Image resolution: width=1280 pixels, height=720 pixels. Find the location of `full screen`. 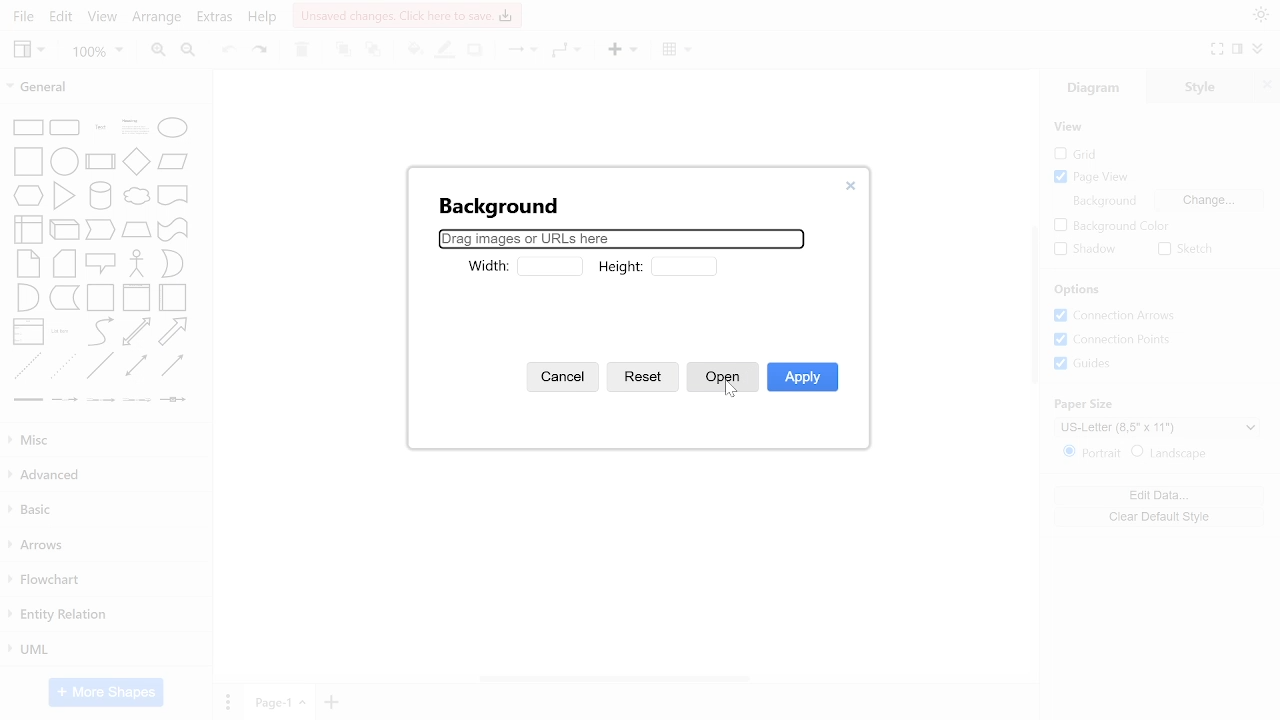

full screen is located at coordinates (1219, 49).